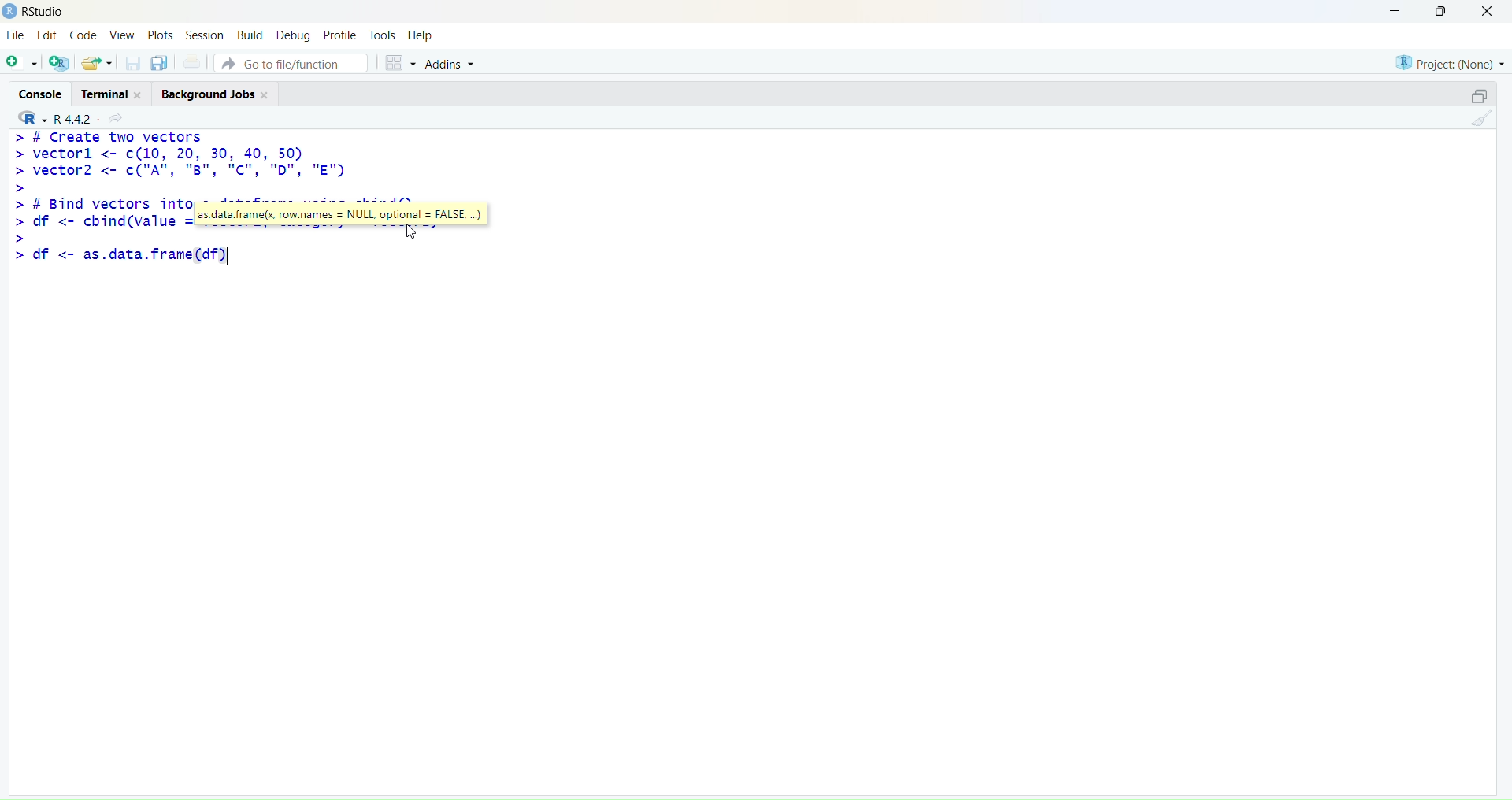 This screenshot has width=1512, height=800. Describe the element at coordinates (399, 64) in the screenshot. I see `workspace panes` at that location.